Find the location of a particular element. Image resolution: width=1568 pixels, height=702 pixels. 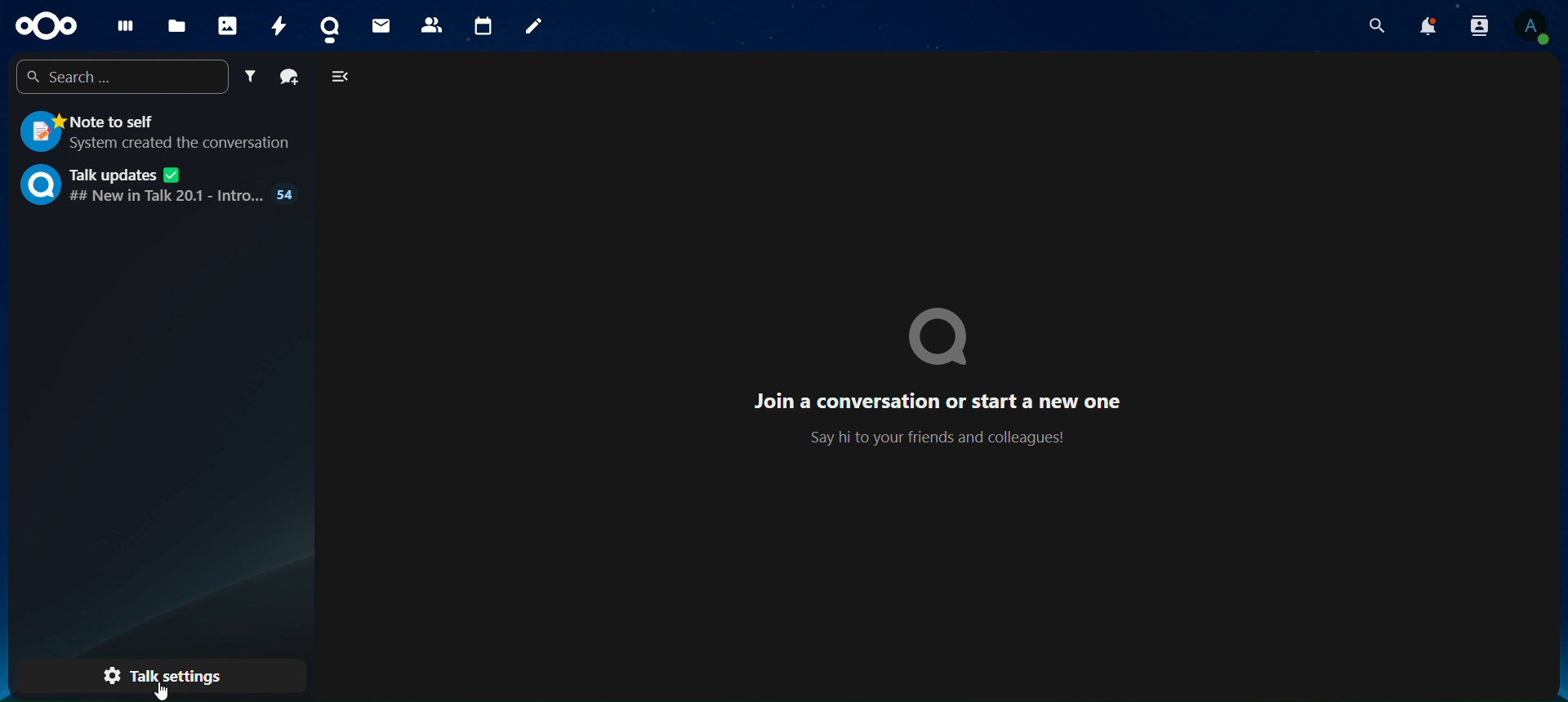

Cursor is located at coordinates (158, 691).